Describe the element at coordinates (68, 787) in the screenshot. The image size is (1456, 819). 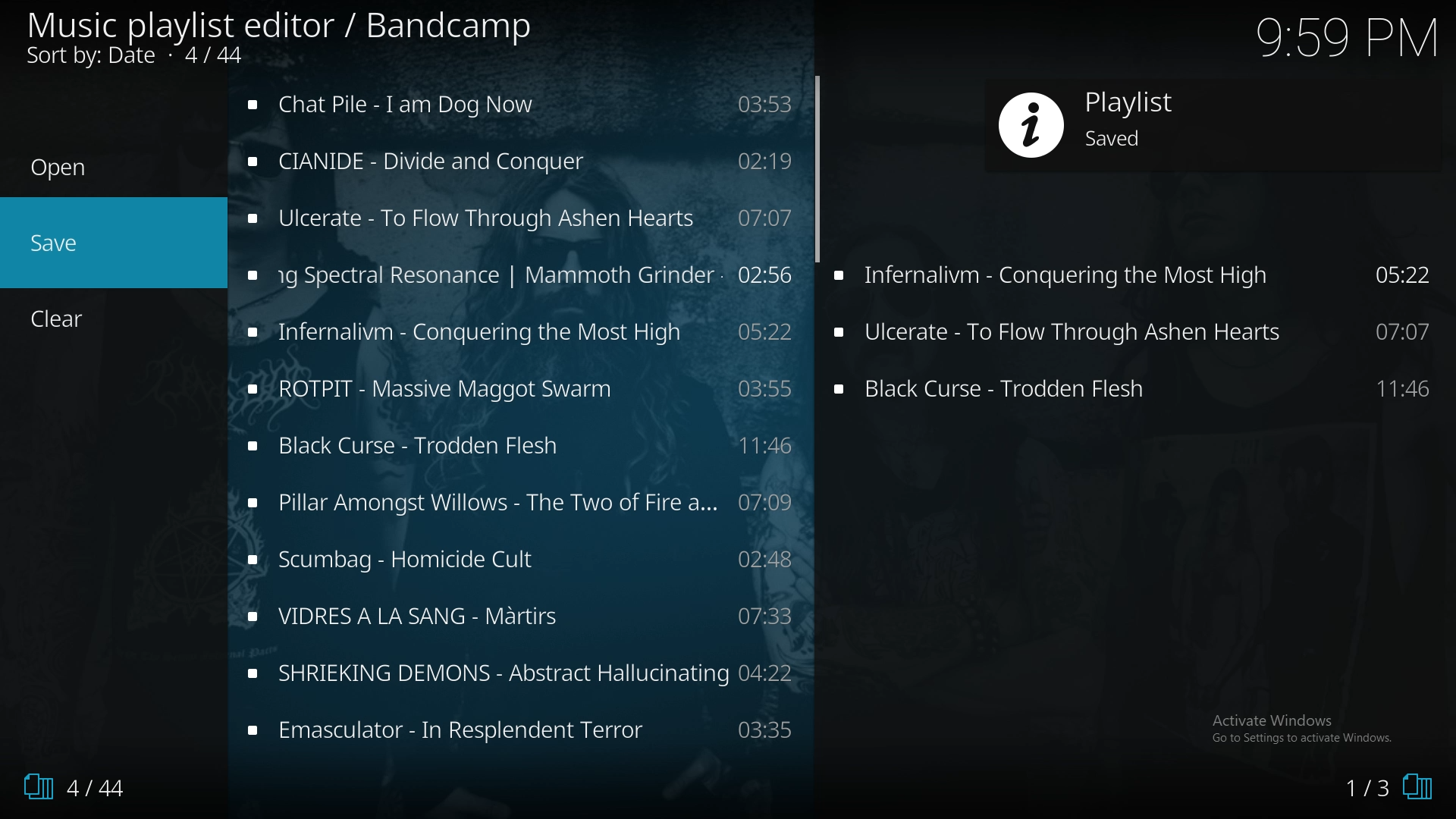
I see `7/44` at that location.